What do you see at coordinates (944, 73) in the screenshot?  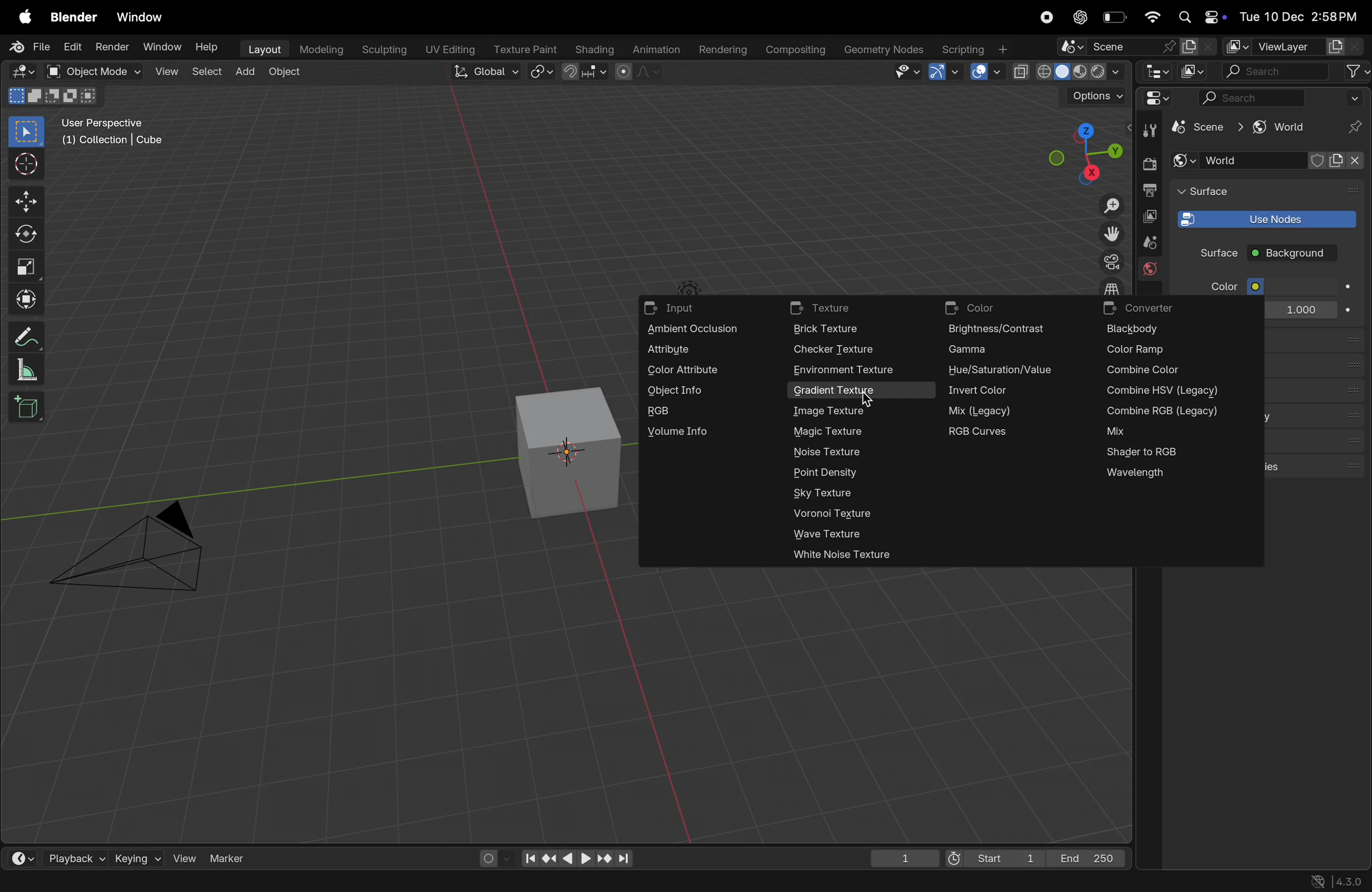 I see `Show Gimzo` at bounding box center [944, 73].